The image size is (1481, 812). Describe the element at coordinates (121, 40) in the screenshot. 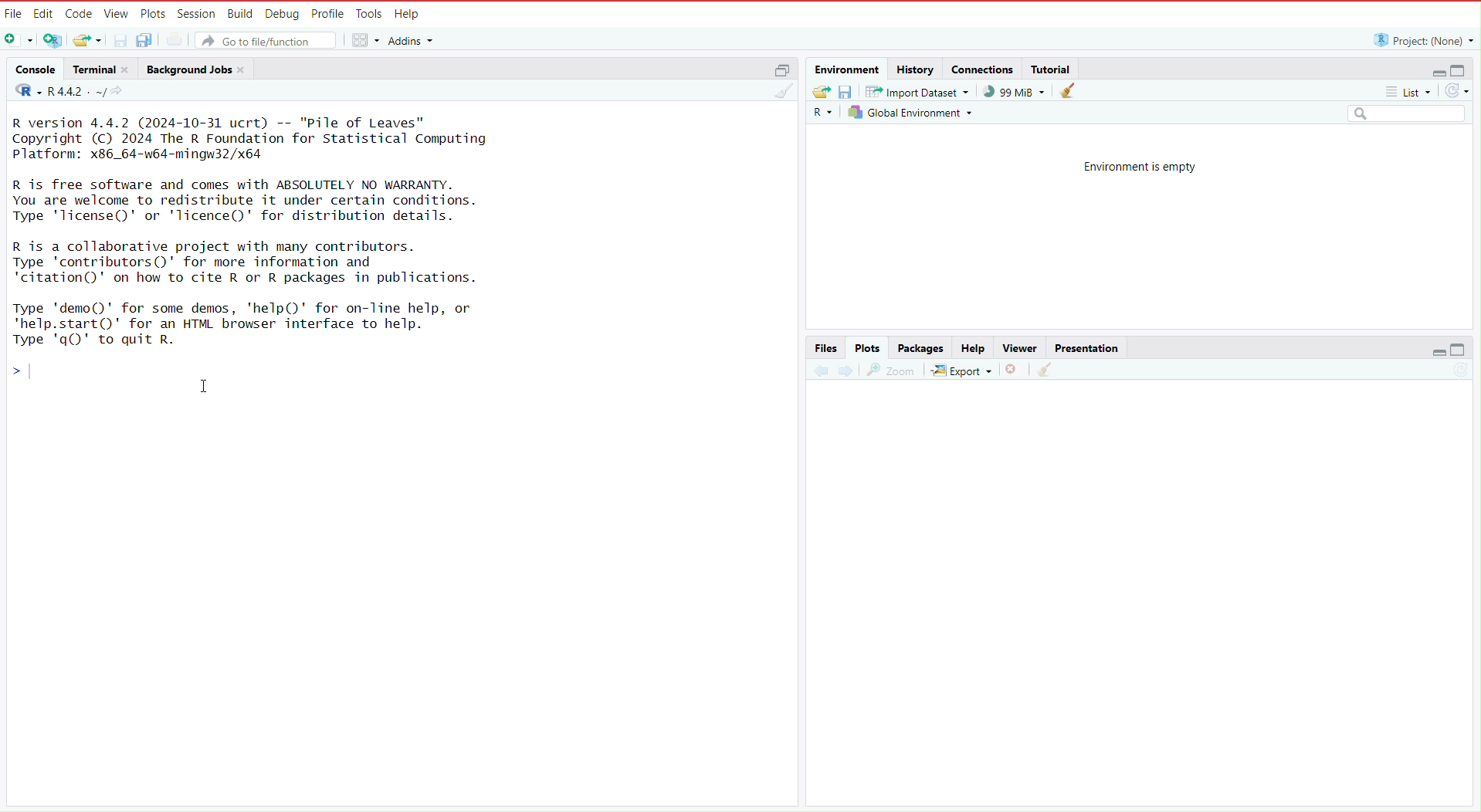

I see `save current document` at that location.